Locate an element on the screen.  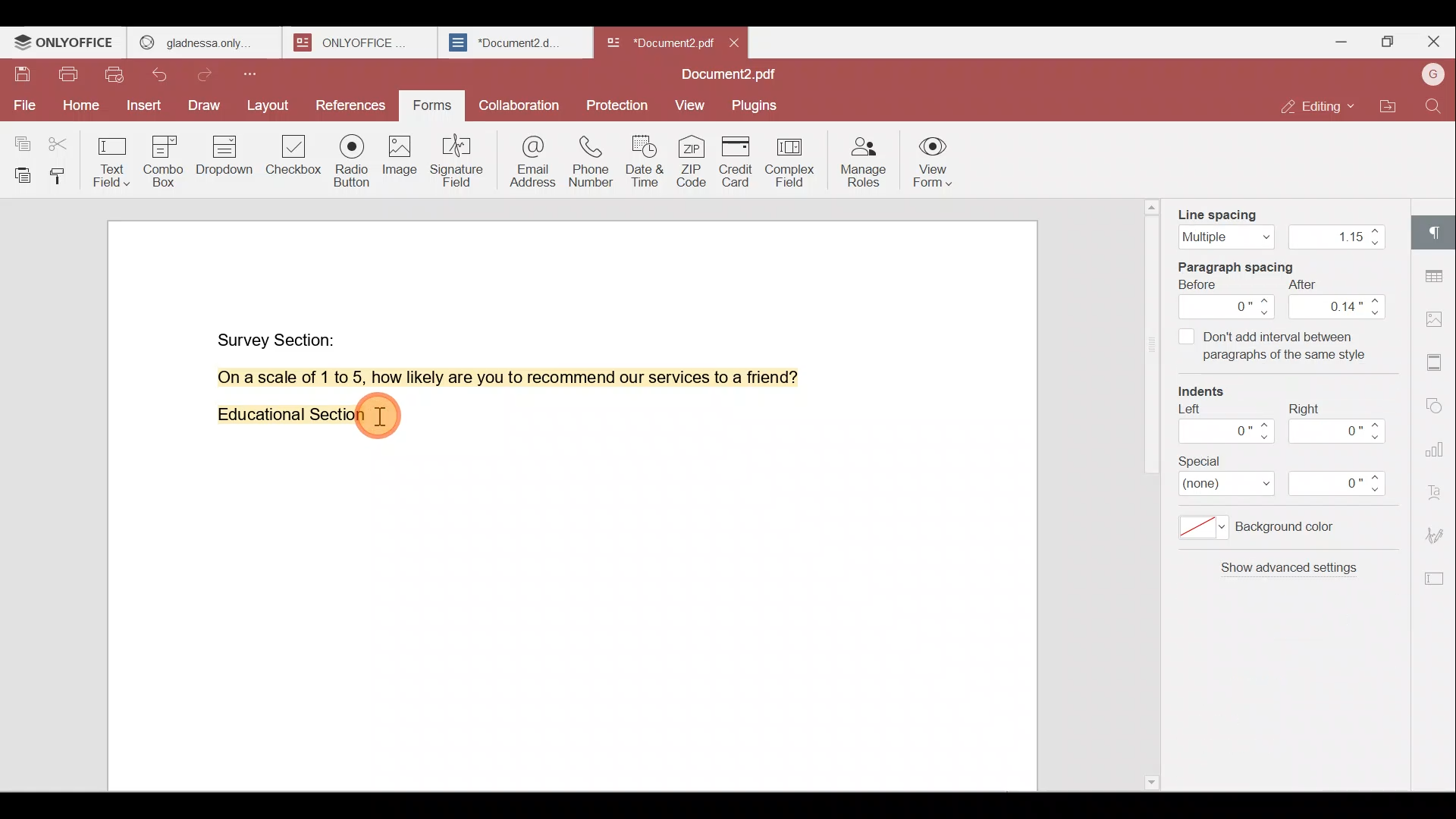
After is located at coordinates (1338, 300).